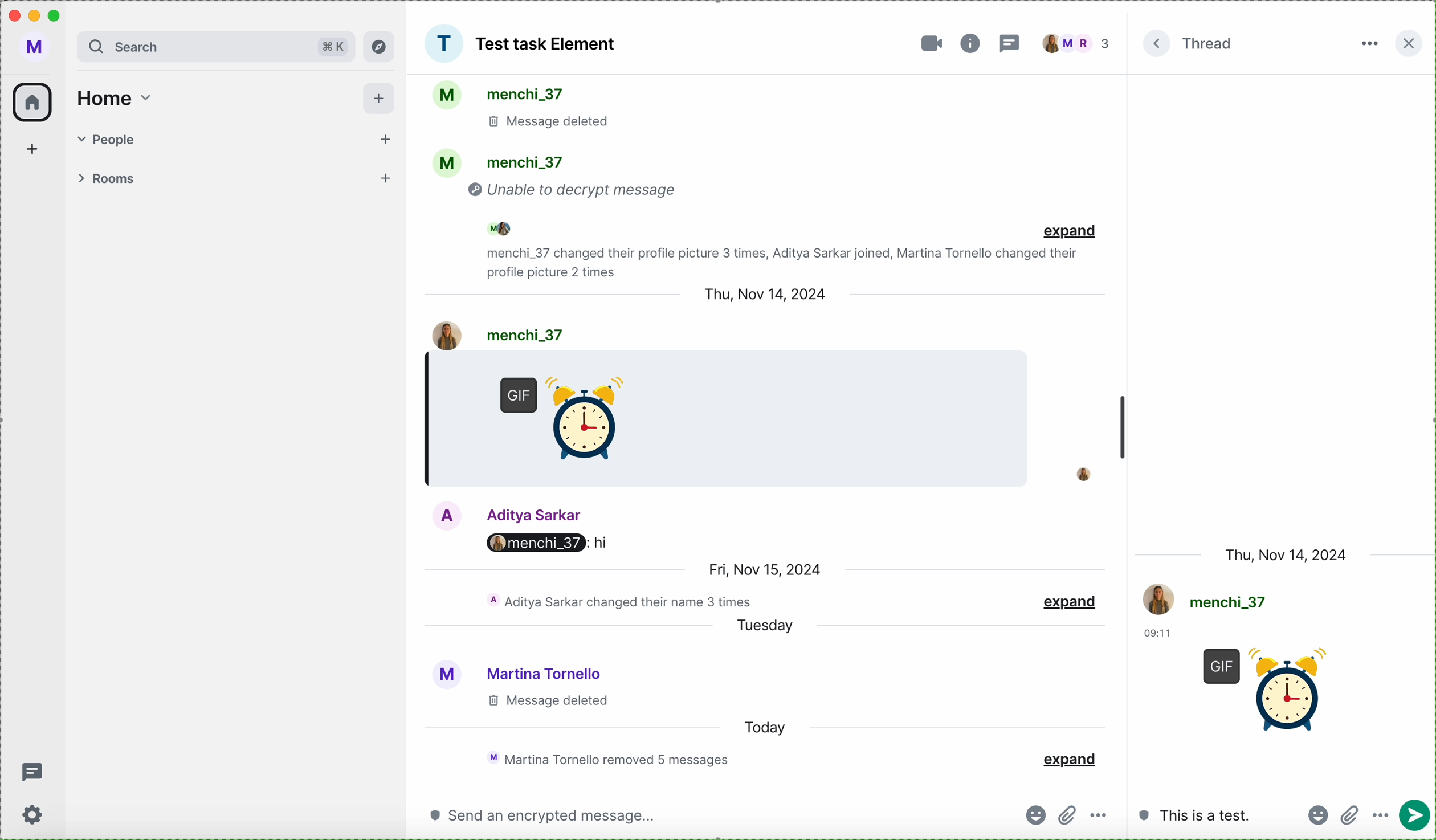  What do you see at coordinates (1407, 44) in the screenshot?
I see `close side bar` at bounding box center [1407, 44].